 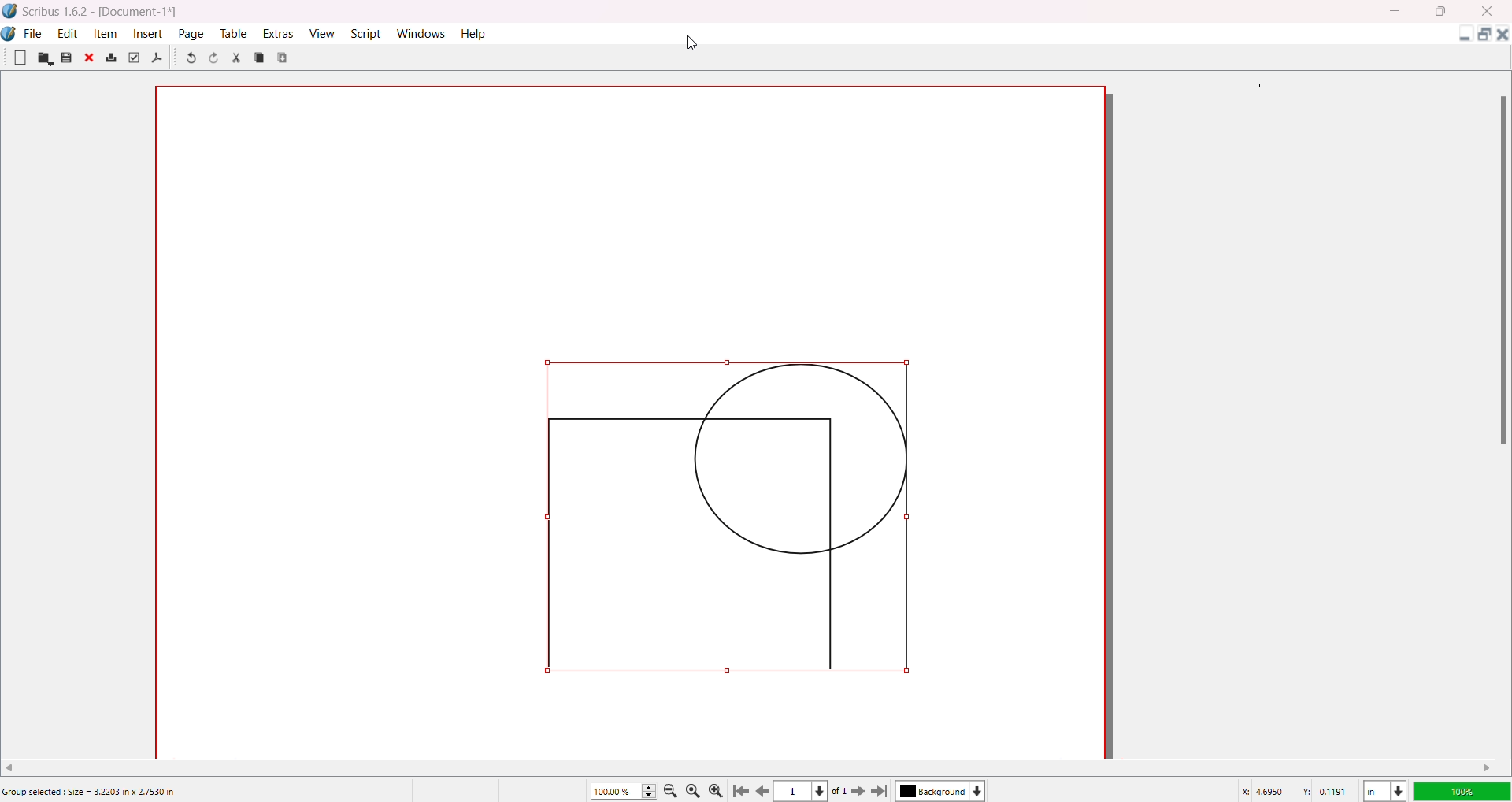 I want to click on Latitude/Longitude, so click(x=1295, y=790).